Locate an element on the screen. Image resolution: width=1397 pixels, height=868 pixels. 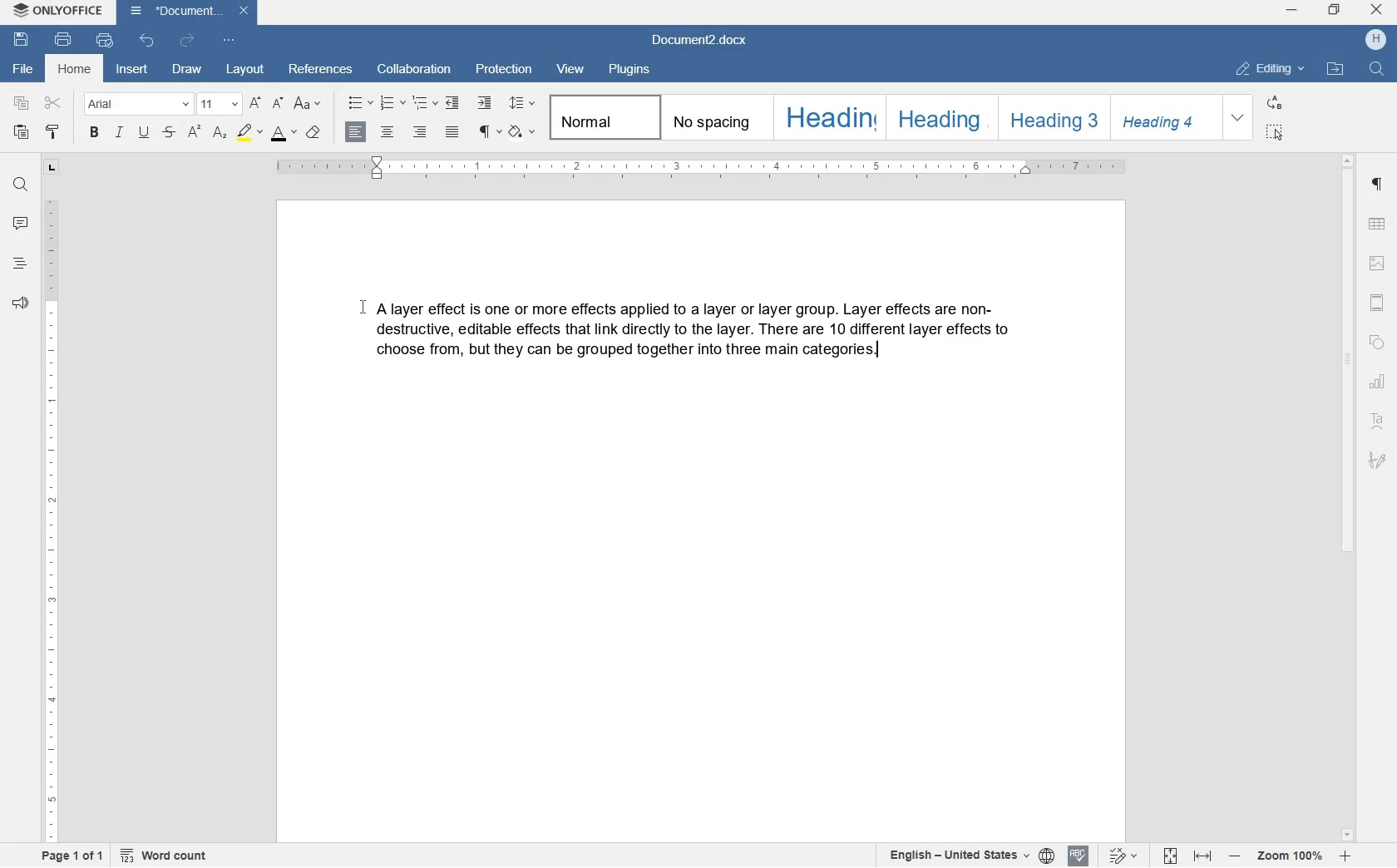
paste is located at coordinates (23, 133).